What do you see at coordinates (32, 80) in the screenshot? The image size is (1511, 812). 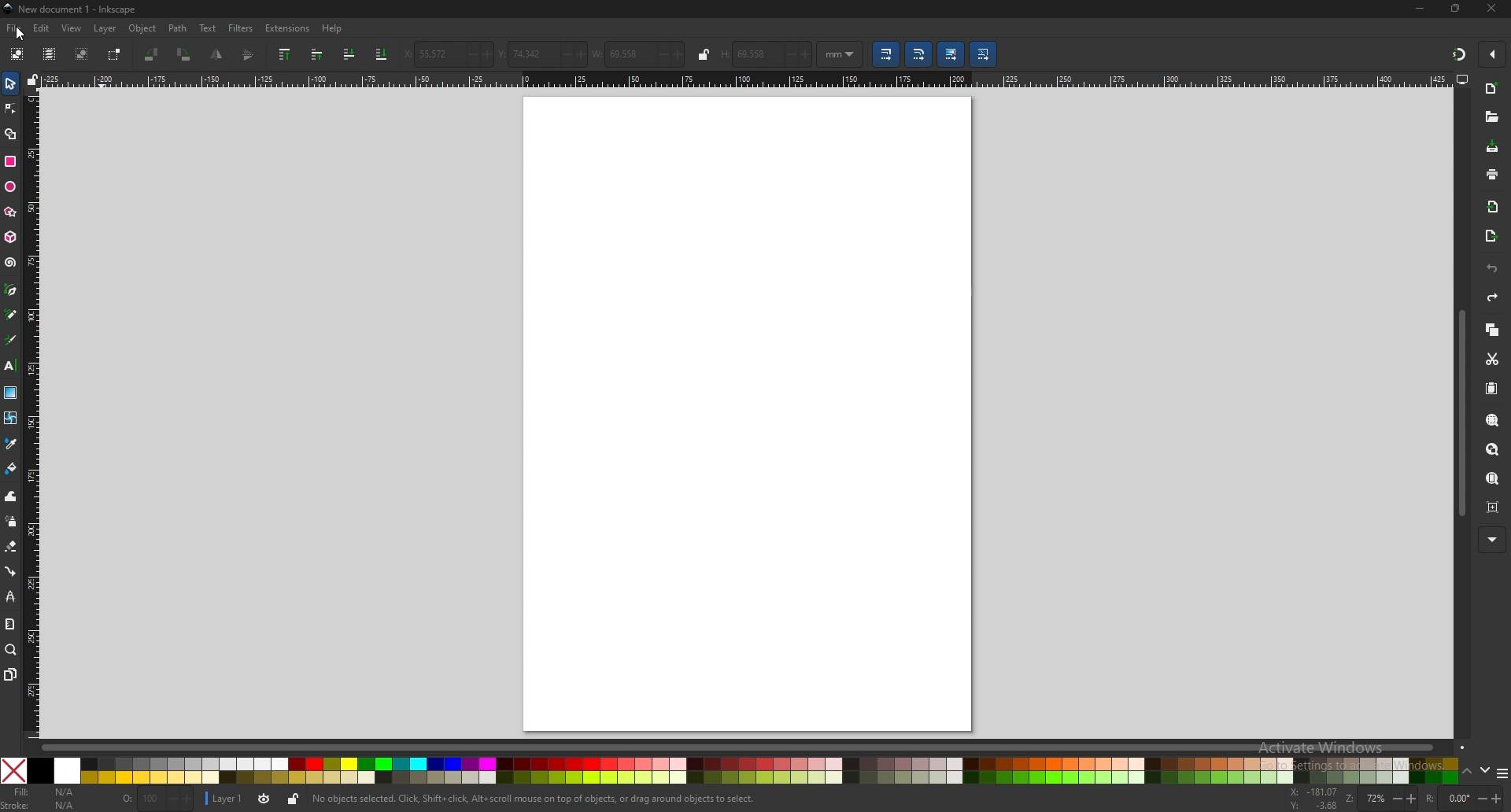 I see `lock guides` at bounding box center [32, 80].